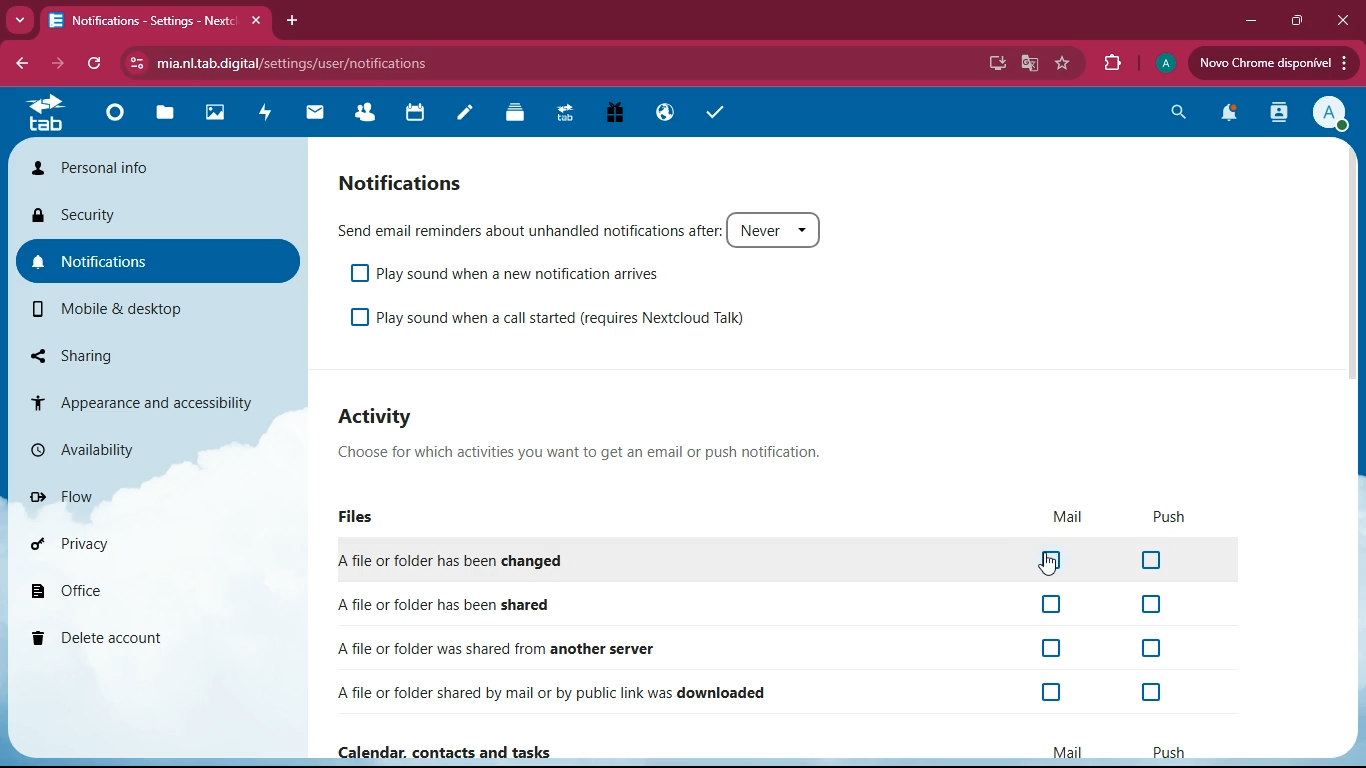 The height and width of the screenshot is (768, 1366). Describe the element at coordinates (45, 114) in the screenshot. I see `tab` at that location.